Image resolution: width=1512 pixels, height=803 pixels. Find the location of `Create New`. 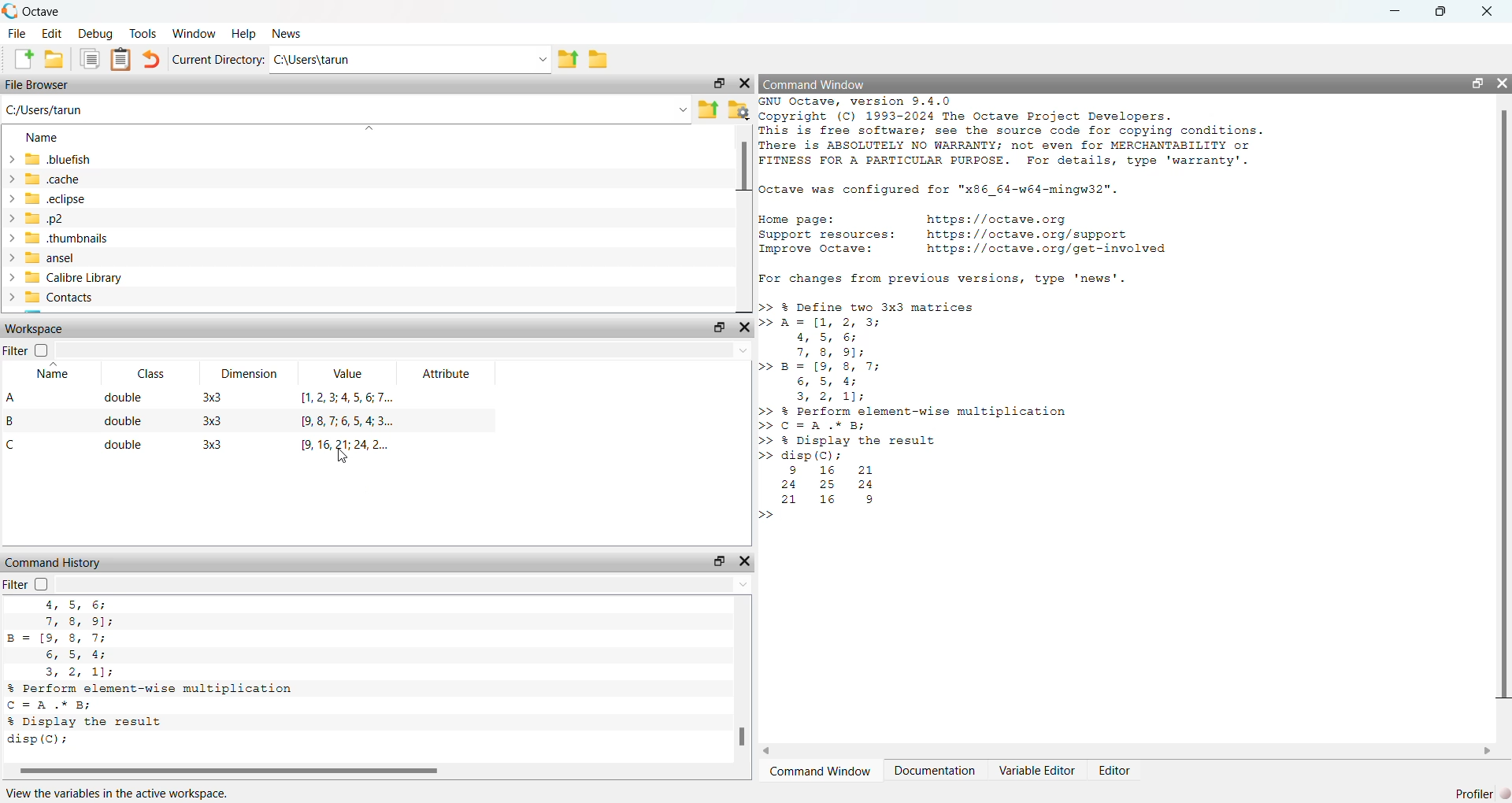

Create New is located at coordinates (23, 58).